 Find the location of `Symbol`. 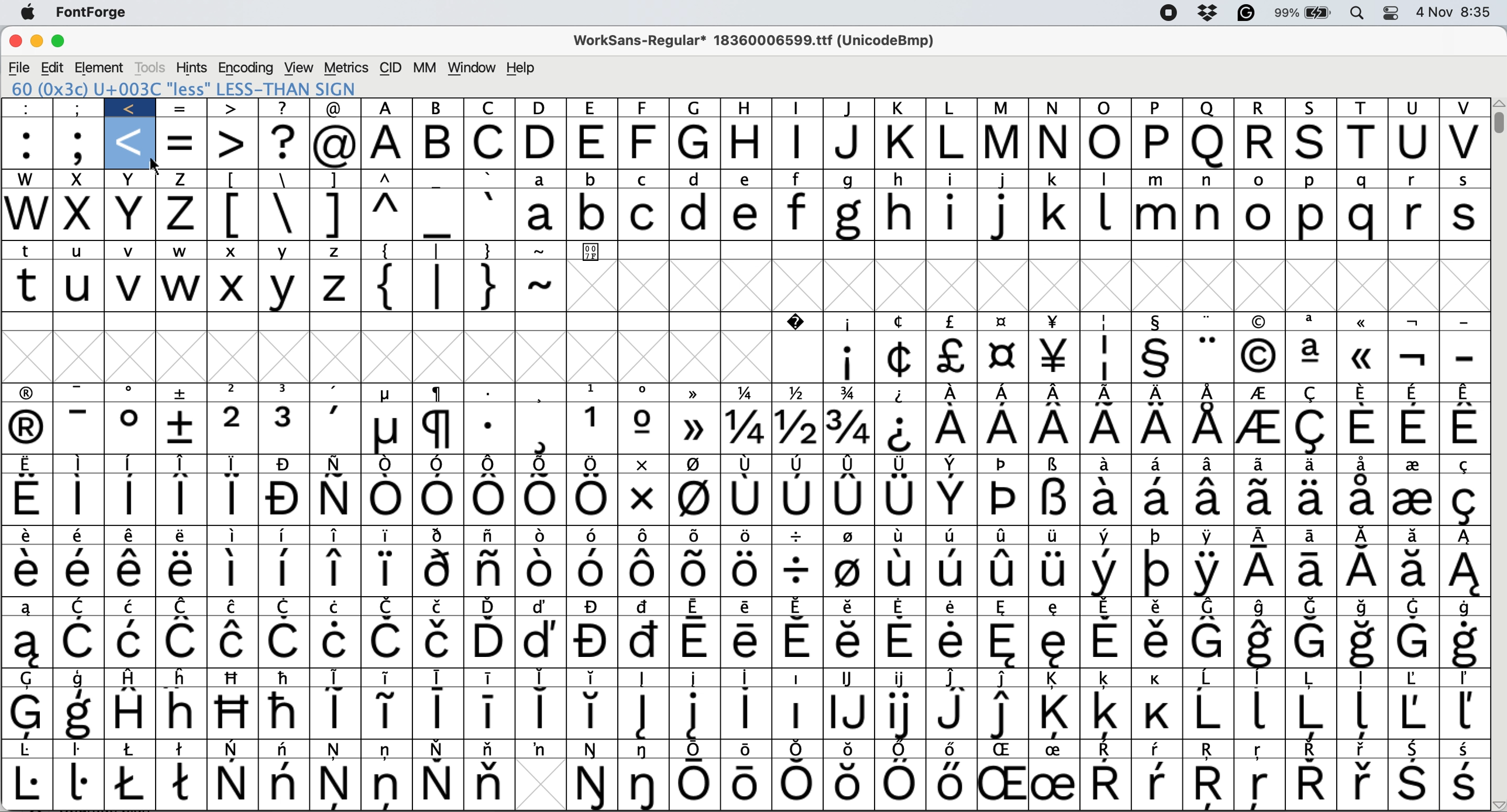

Symbol is located at coordinates (543, 606).